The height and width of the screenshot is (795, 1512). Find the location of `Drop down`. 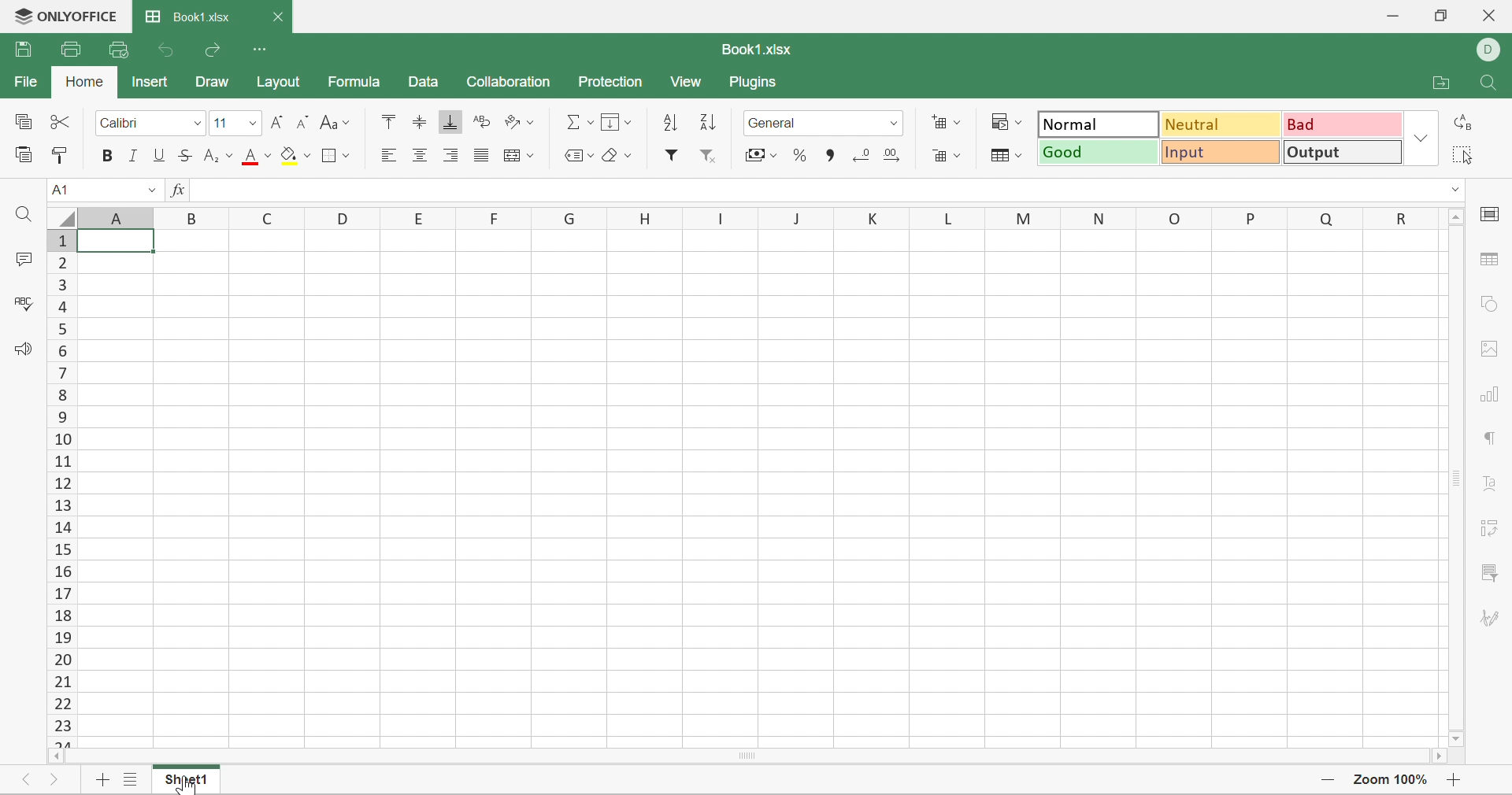

Drop down is located at coordinates (898, 124).